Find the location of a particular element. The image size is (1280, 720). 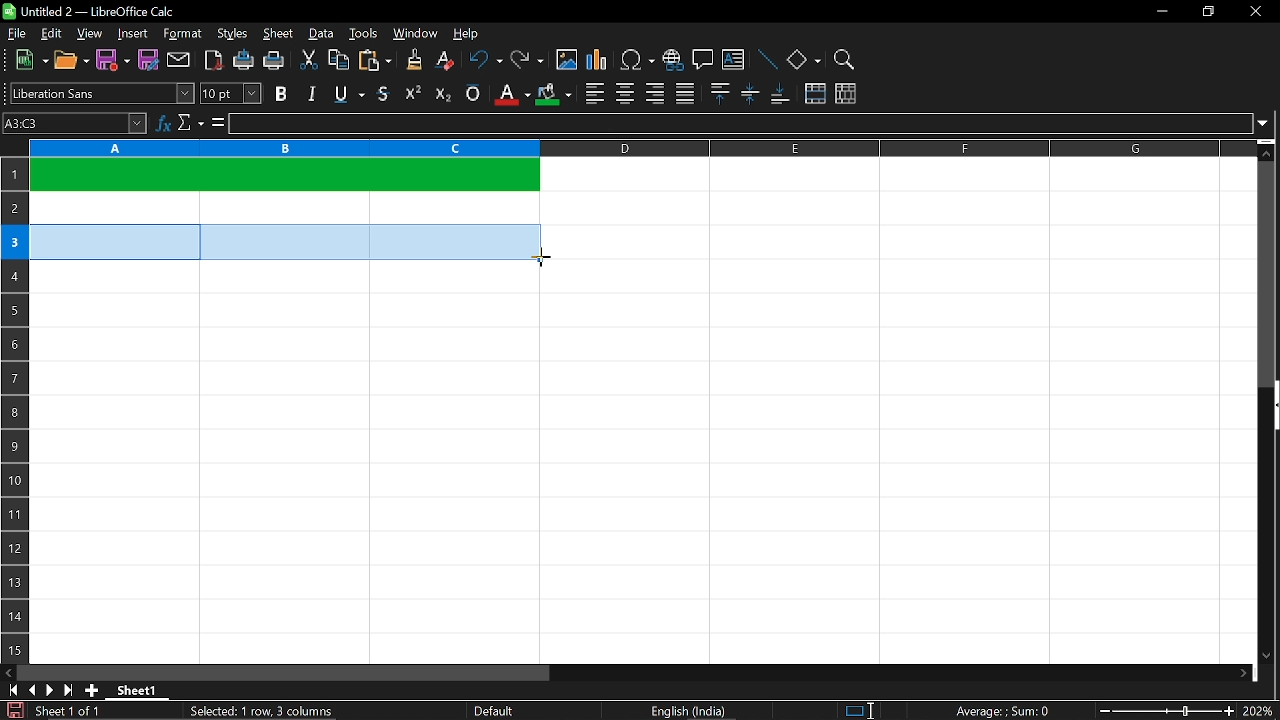

attach is located at coordinates (177, 59).